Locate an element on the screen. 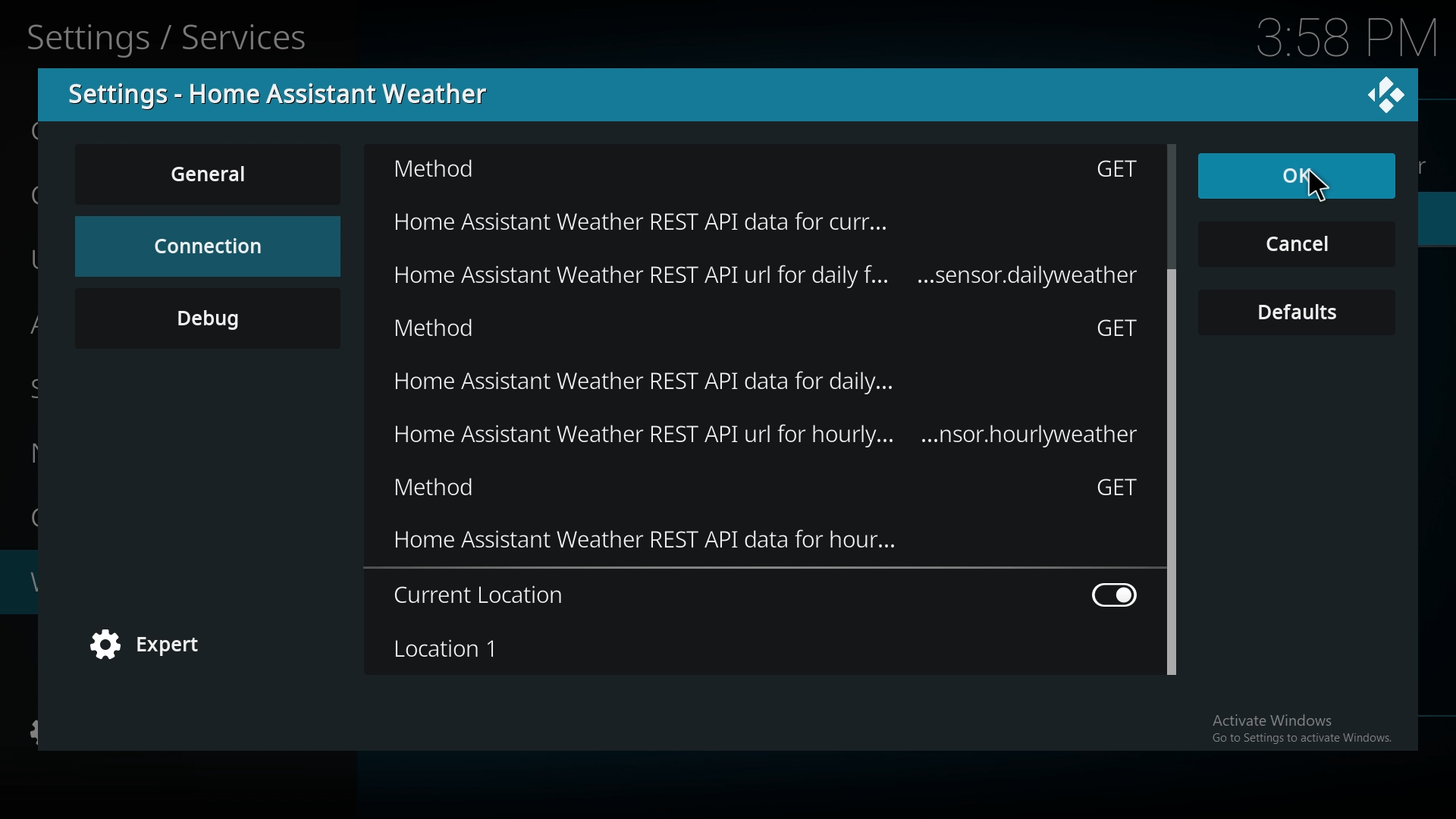  method is located at coordinates (766, 491).